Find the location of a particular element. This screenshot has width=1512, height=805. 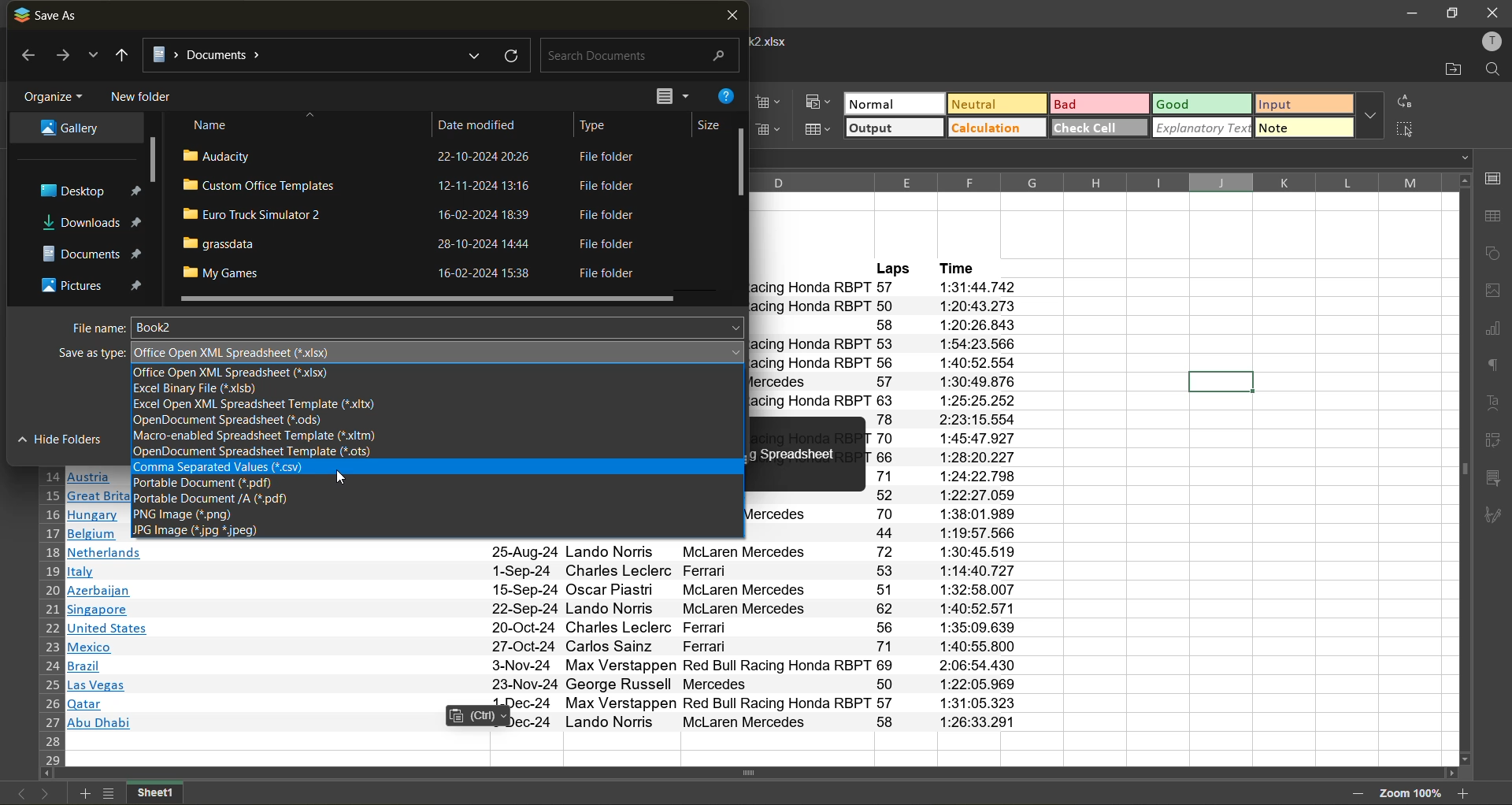

open location is located at coordinates (1446, 68).